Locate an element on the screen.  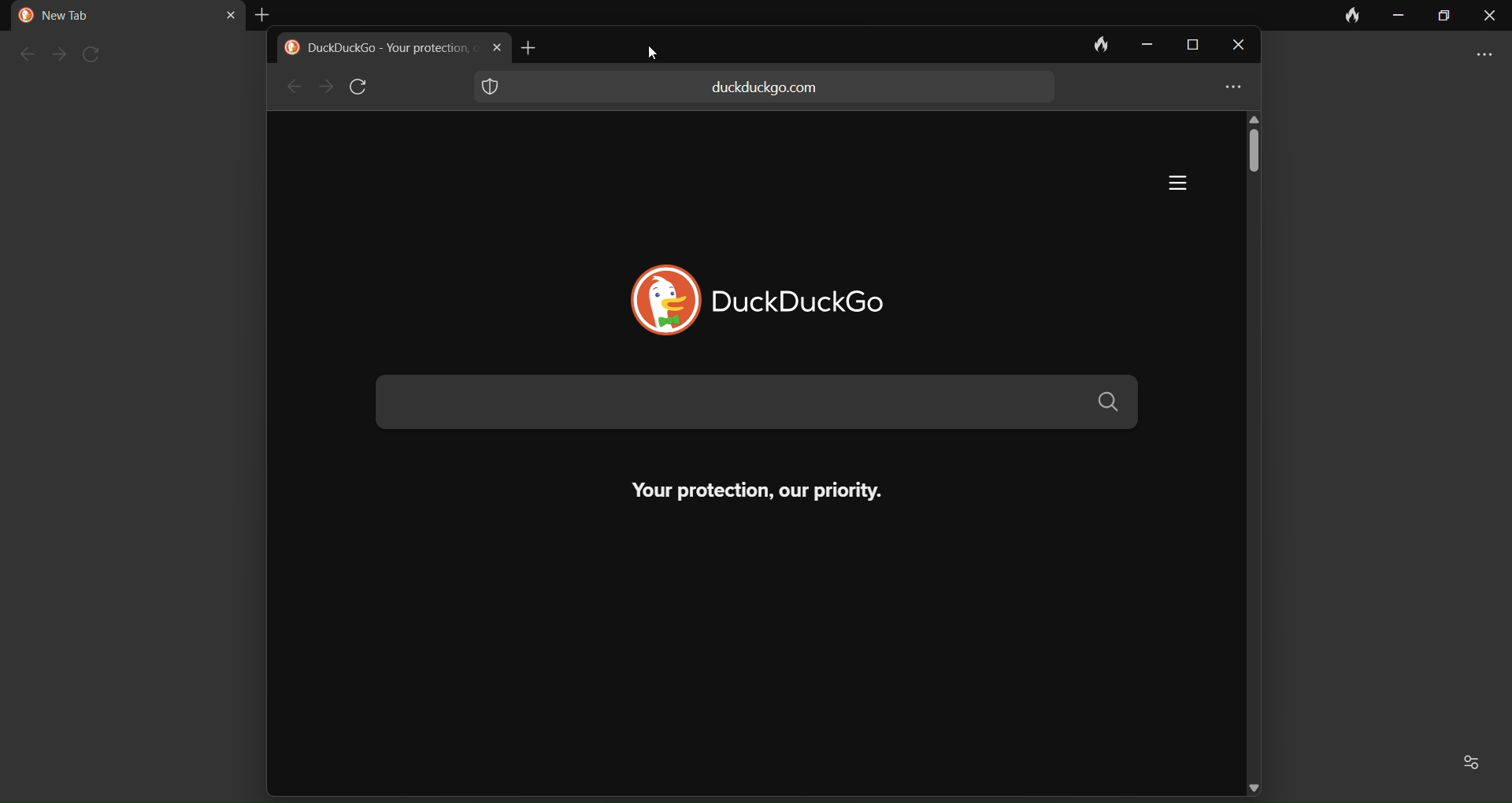
minimize is located at coordinates (1399, 17).